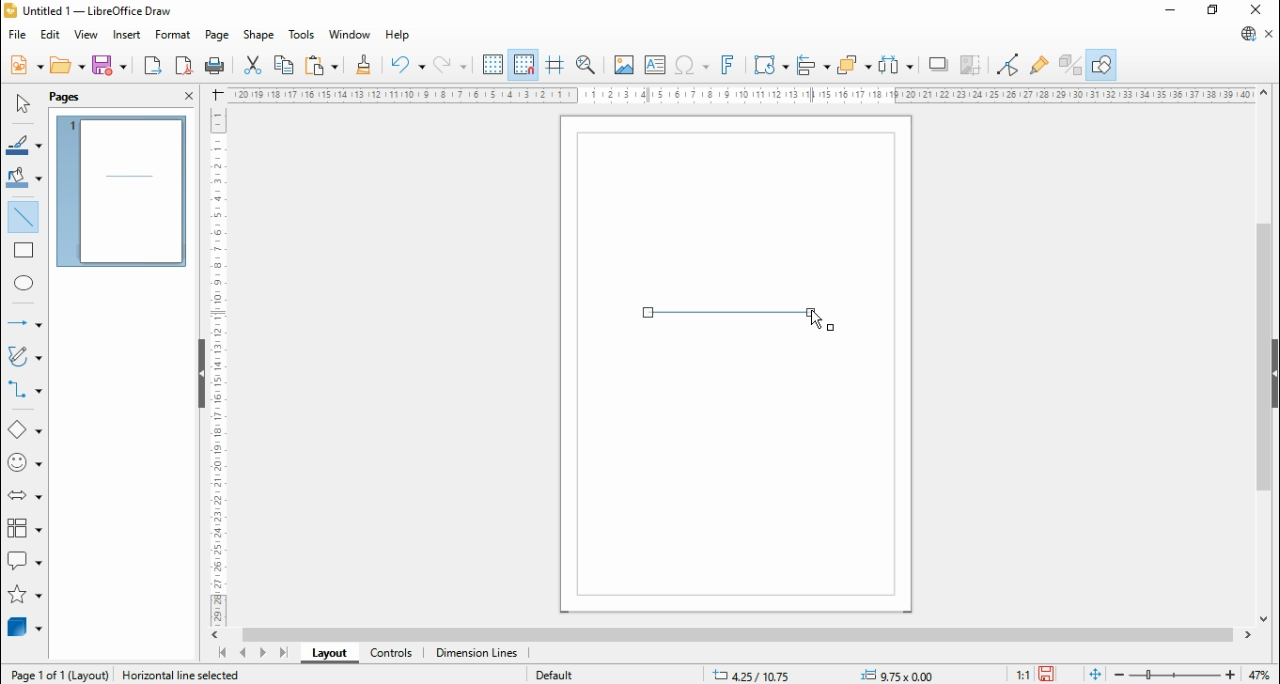 The width and height of the screenshot is (1280, 684). Describe the element at coordinates (554, 63) in the screenshot. I see `helplines while moving` at that location.